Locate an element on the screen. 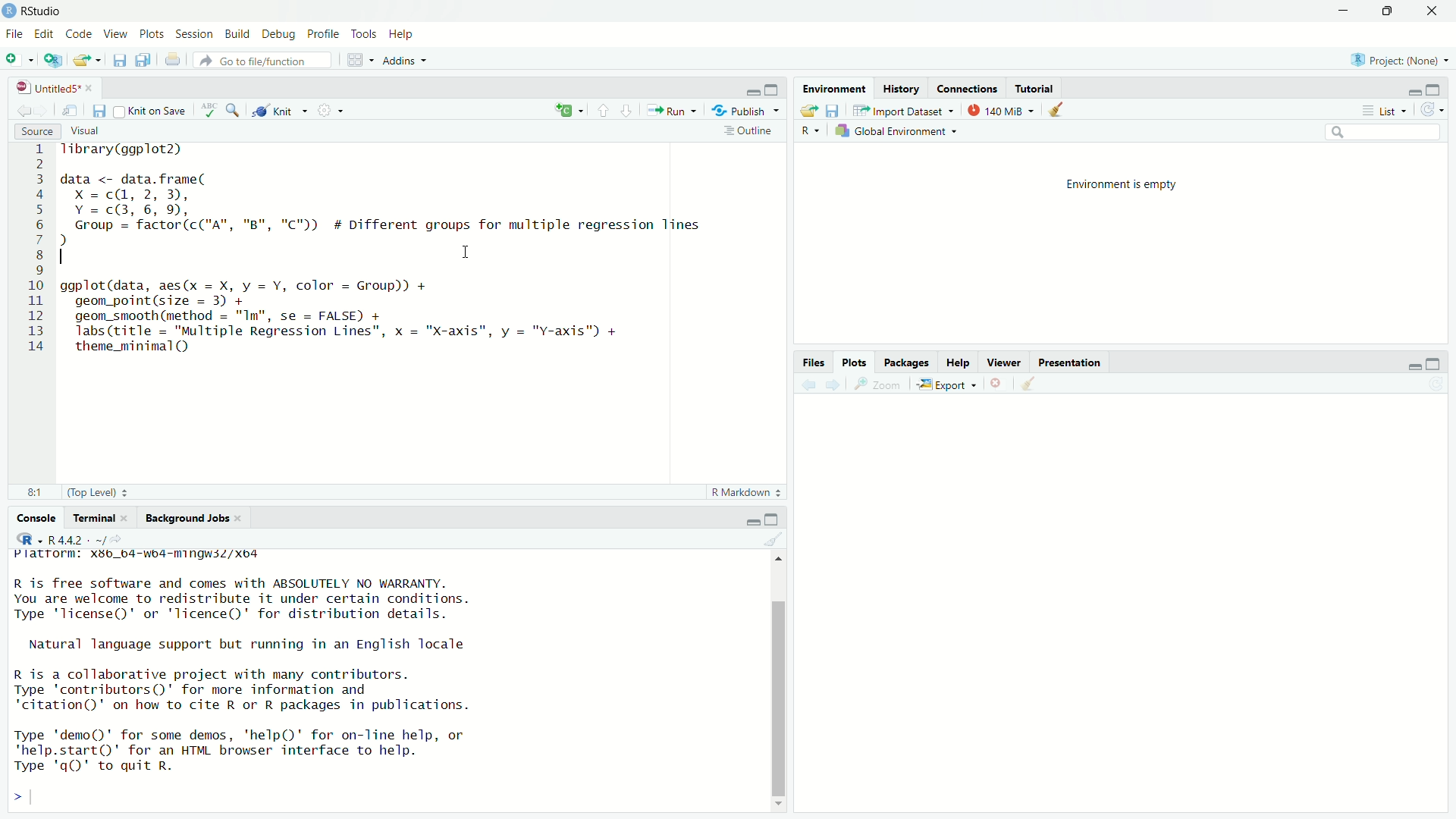 The width and height of the screenshot is (1456, 819). maximise is located at coordinates (773, 88).